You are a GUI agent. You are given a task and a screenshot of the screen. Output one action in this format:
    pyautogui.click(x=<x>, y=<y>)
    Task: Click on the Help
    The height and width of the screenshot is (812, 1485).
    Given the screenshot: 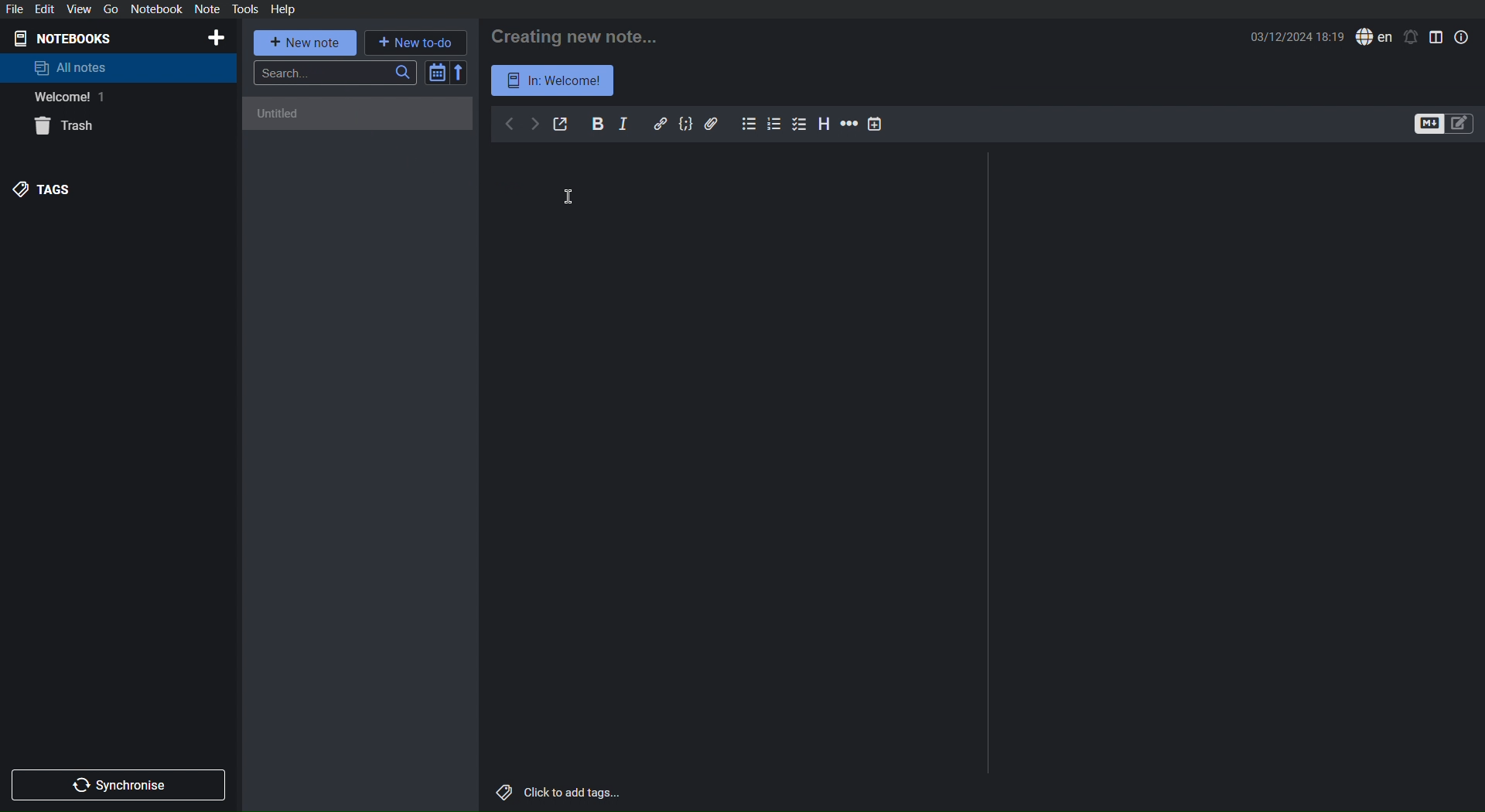 What is the action you would take?
    pyautogui.click(x=282, y=9)
    